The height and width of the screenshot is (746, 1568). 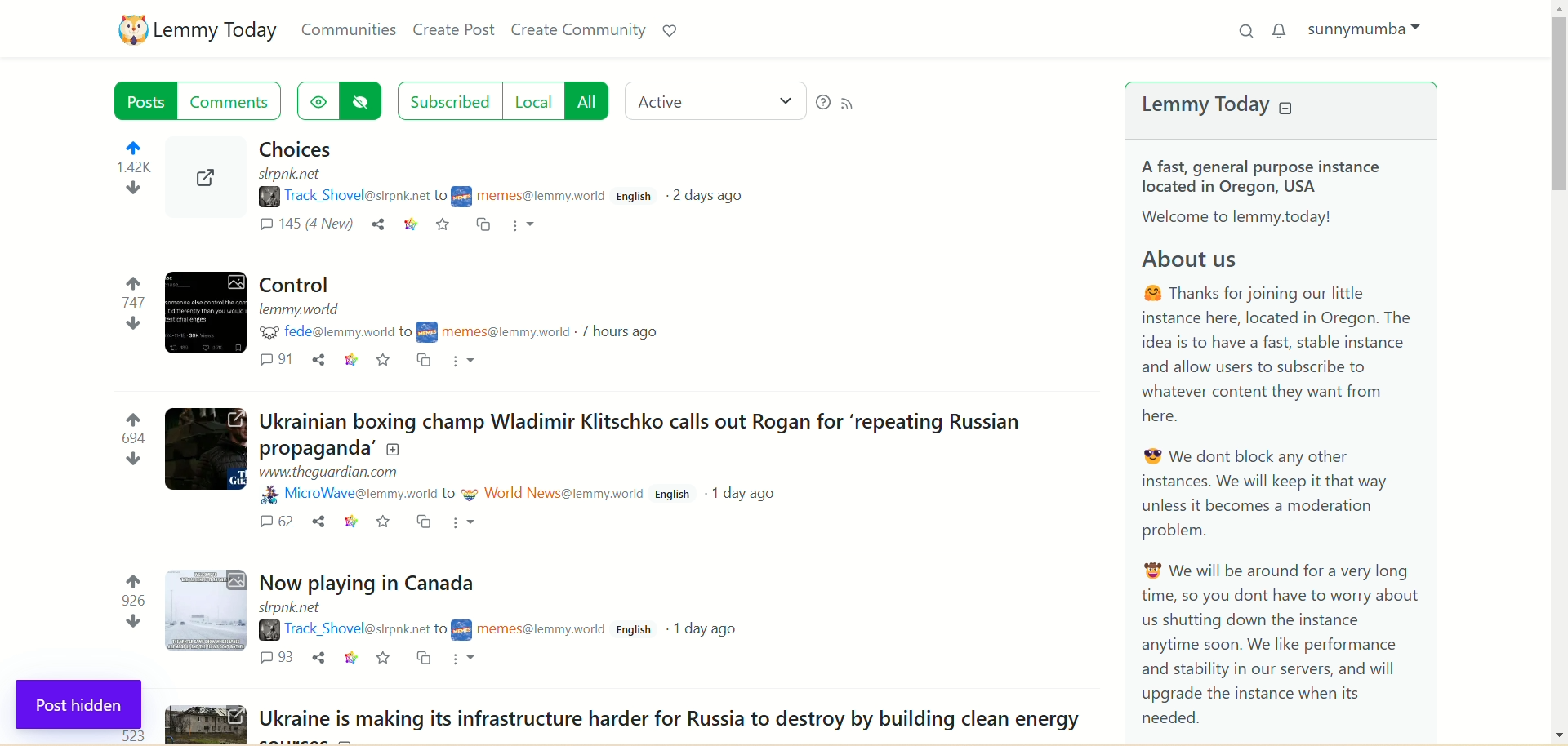 I want to click on favorite, so click(x=387, y=659).